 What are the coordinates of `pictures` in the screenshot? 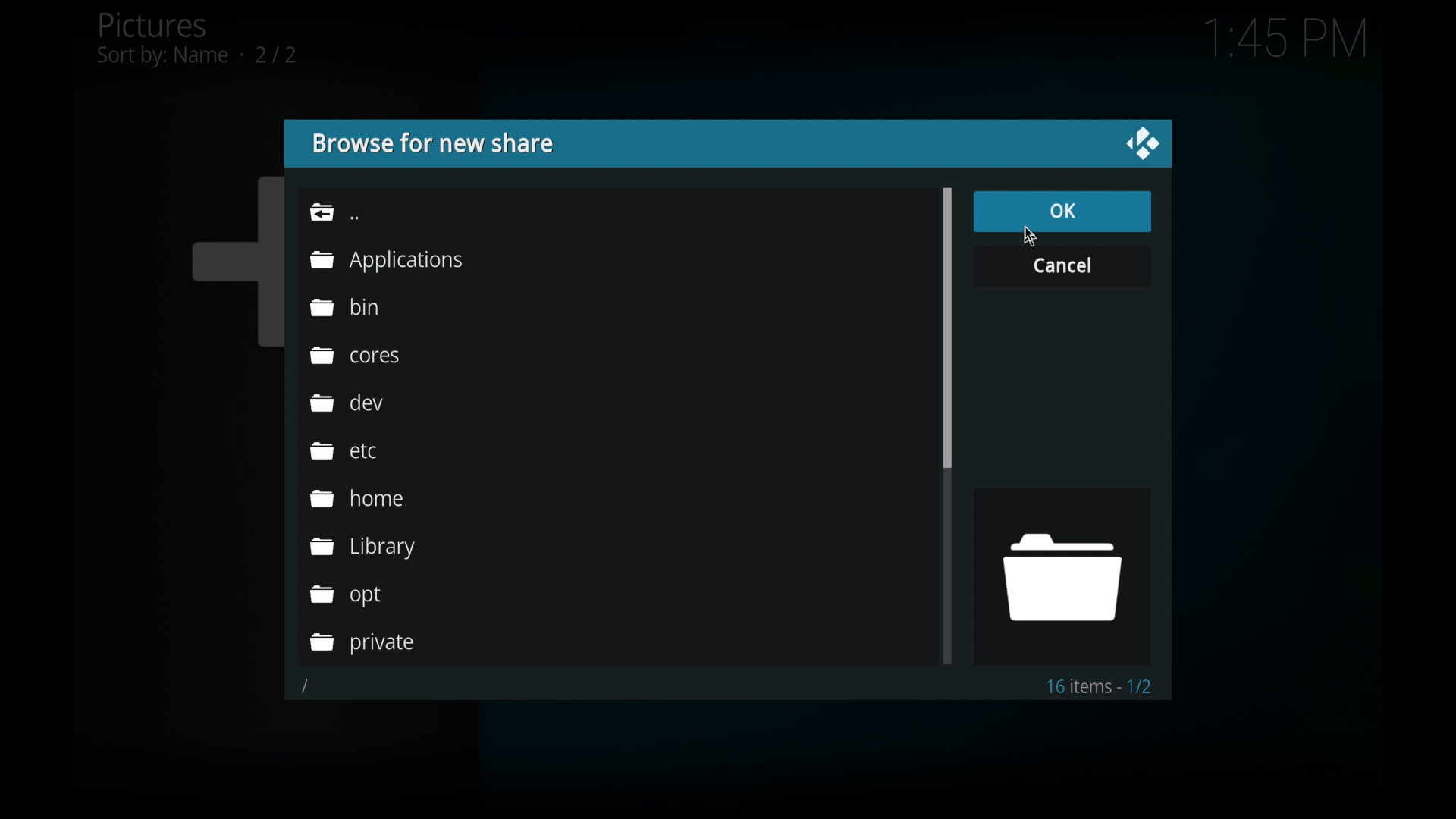 It's located at (196, 39).